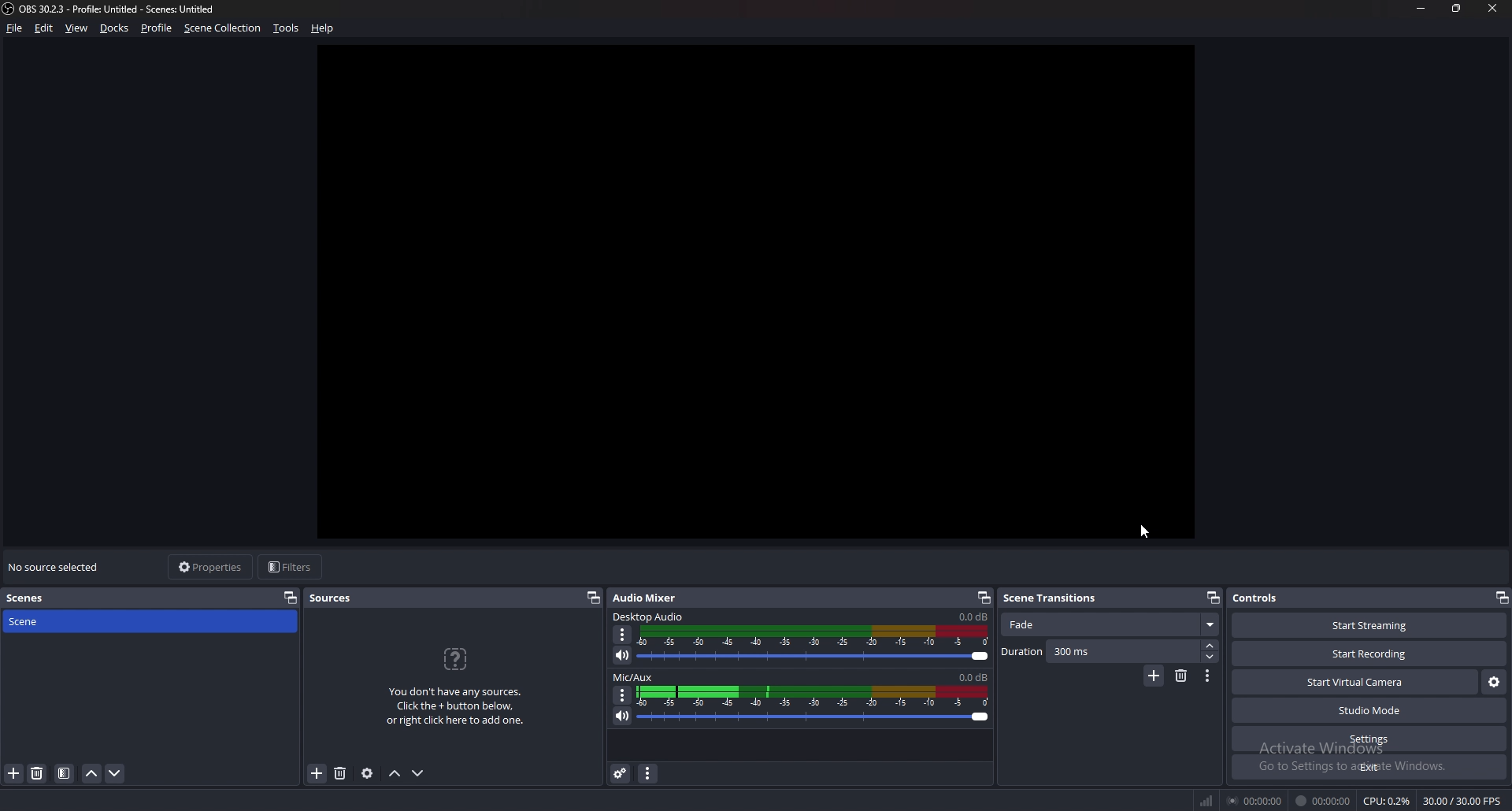  Describe the element at coordinates (971, 676) in the screenshot. I see `mic/aux sound` at that location.